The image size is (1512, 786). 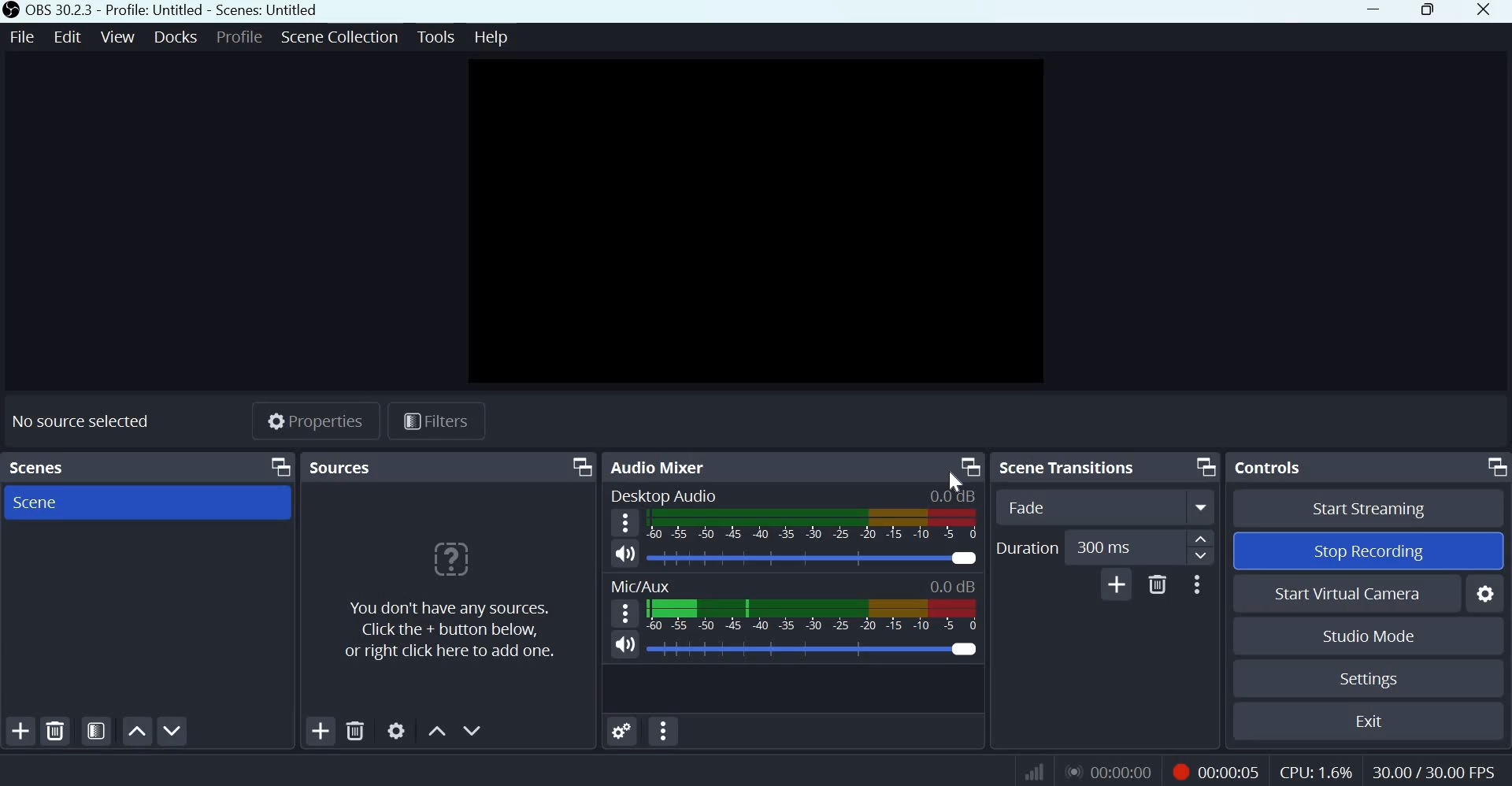 I want to click on Volume meter, so click(x=817, y=528).